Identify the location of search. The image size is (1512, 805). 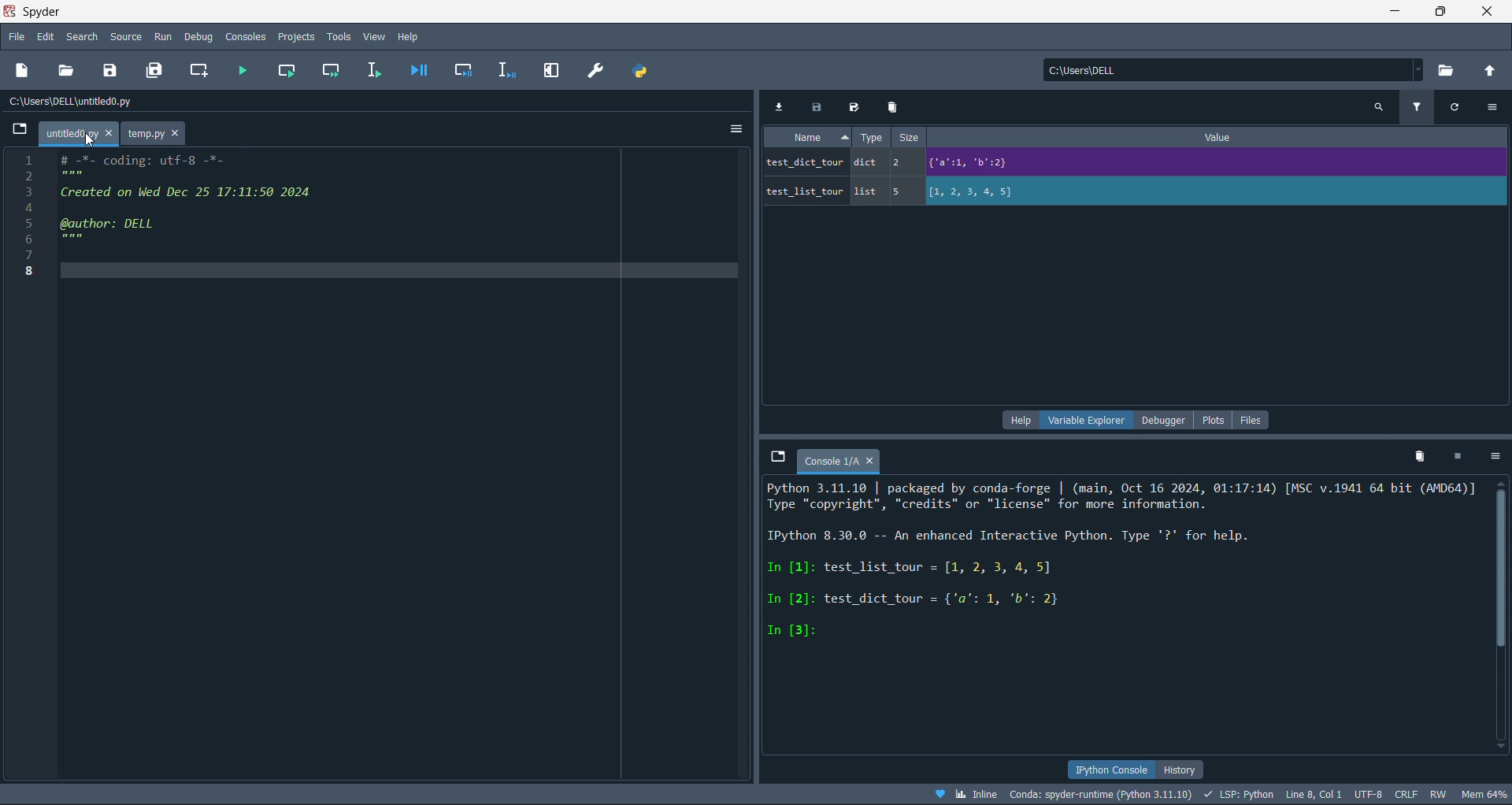
(1377, 106).